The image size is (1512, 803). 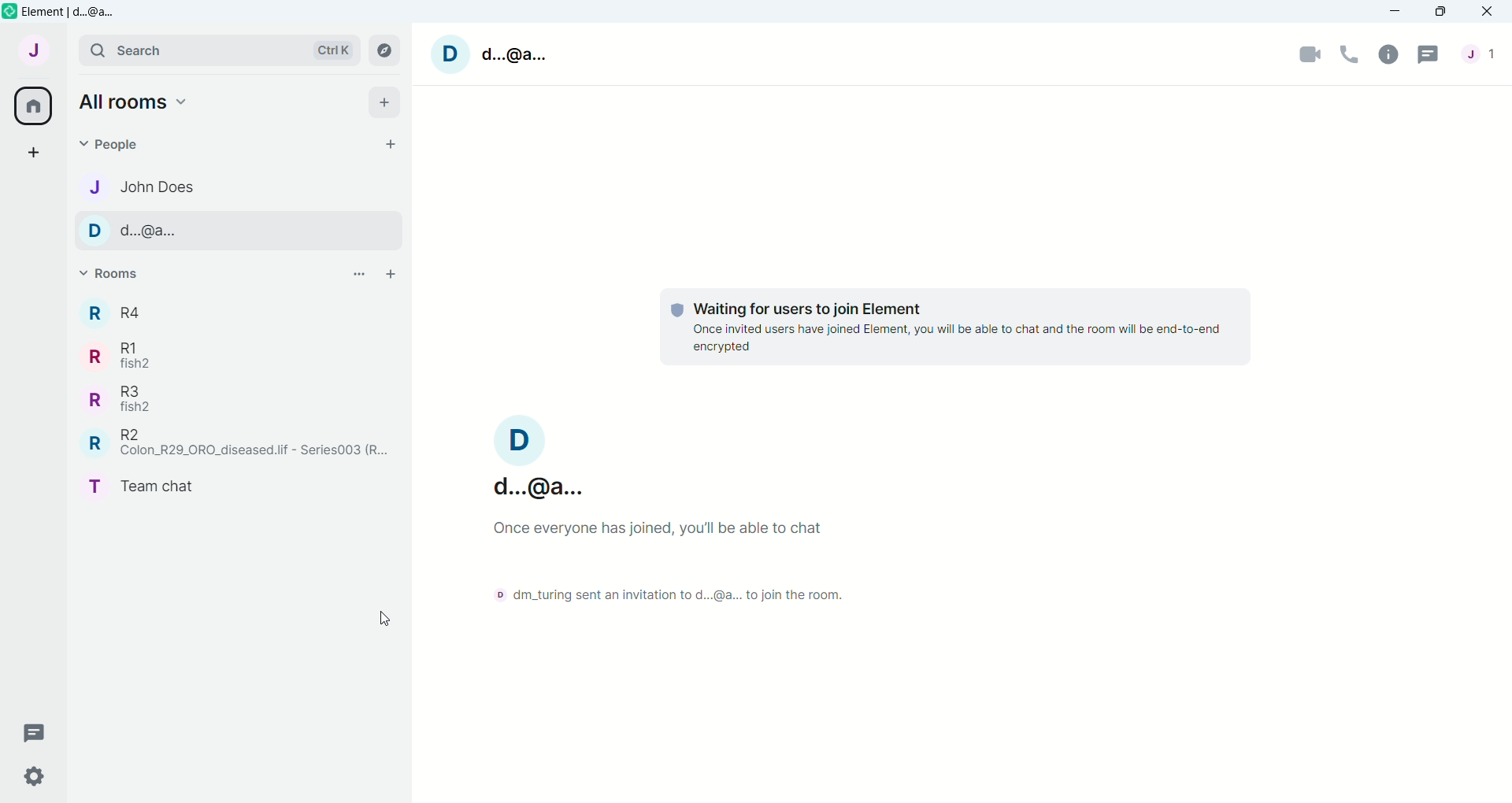 What do you see at coordinates (1349, 54) in the screenshot?
I see `Voice Call` at bounding box center [1349, 54].